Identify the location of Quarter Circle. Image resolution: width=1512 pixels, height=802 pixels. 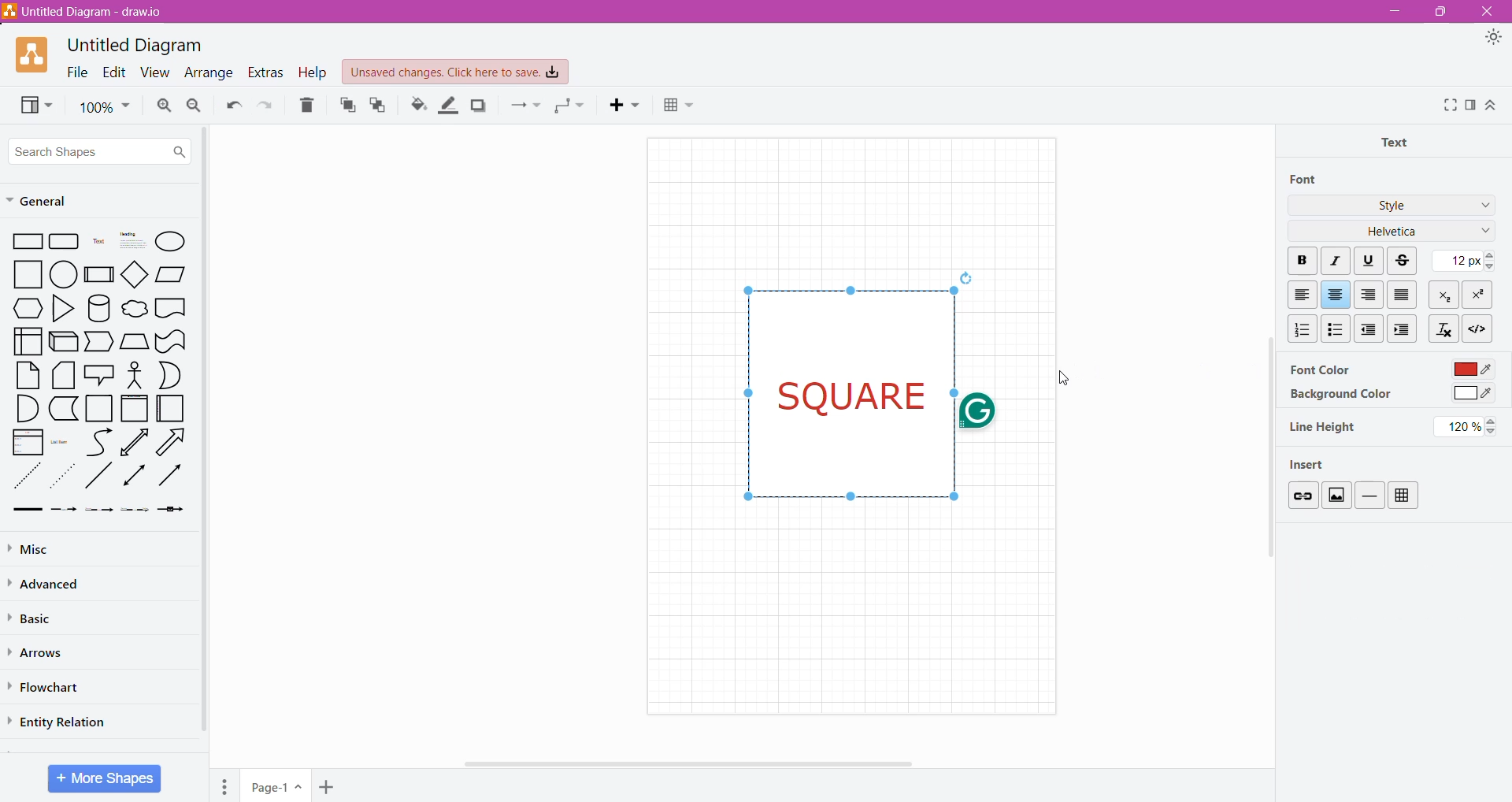
(25, 407).